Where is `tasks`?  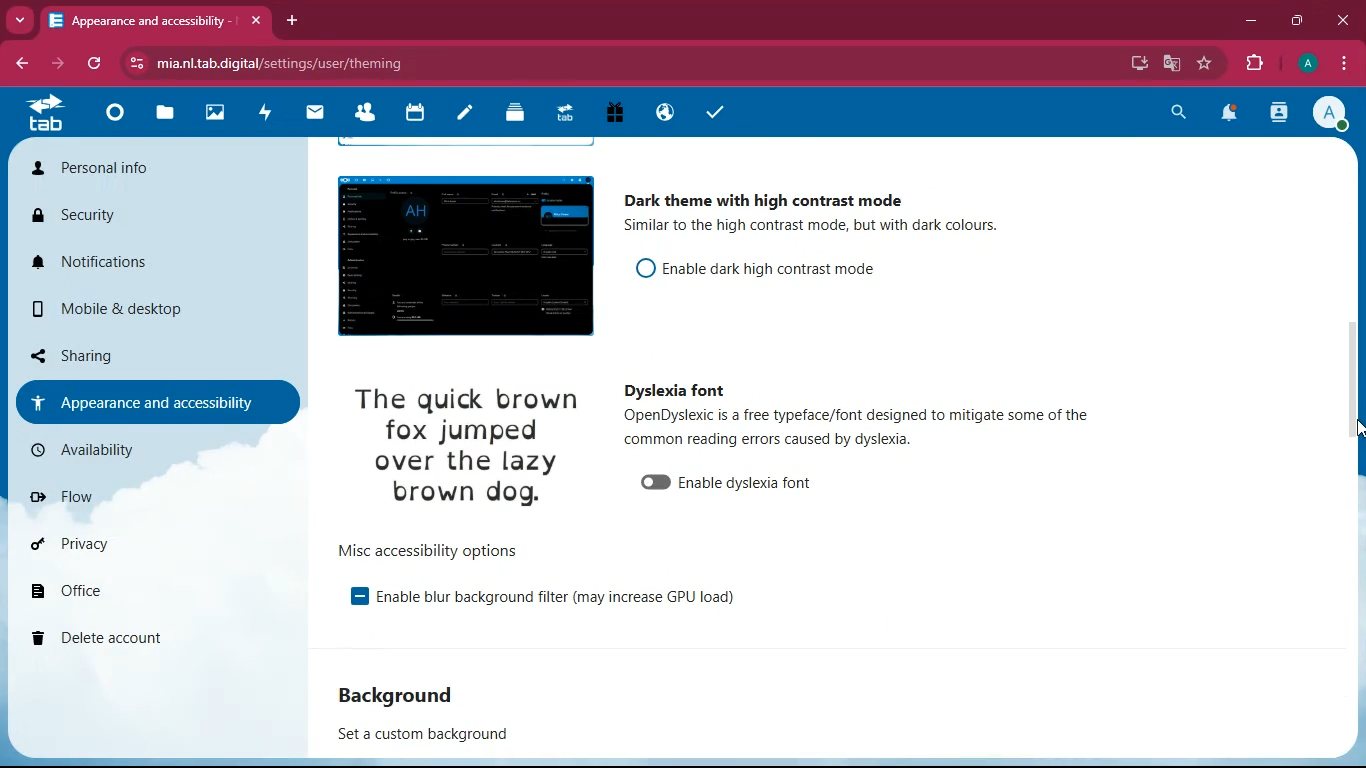
tasks is located at coordinates (723, 114).